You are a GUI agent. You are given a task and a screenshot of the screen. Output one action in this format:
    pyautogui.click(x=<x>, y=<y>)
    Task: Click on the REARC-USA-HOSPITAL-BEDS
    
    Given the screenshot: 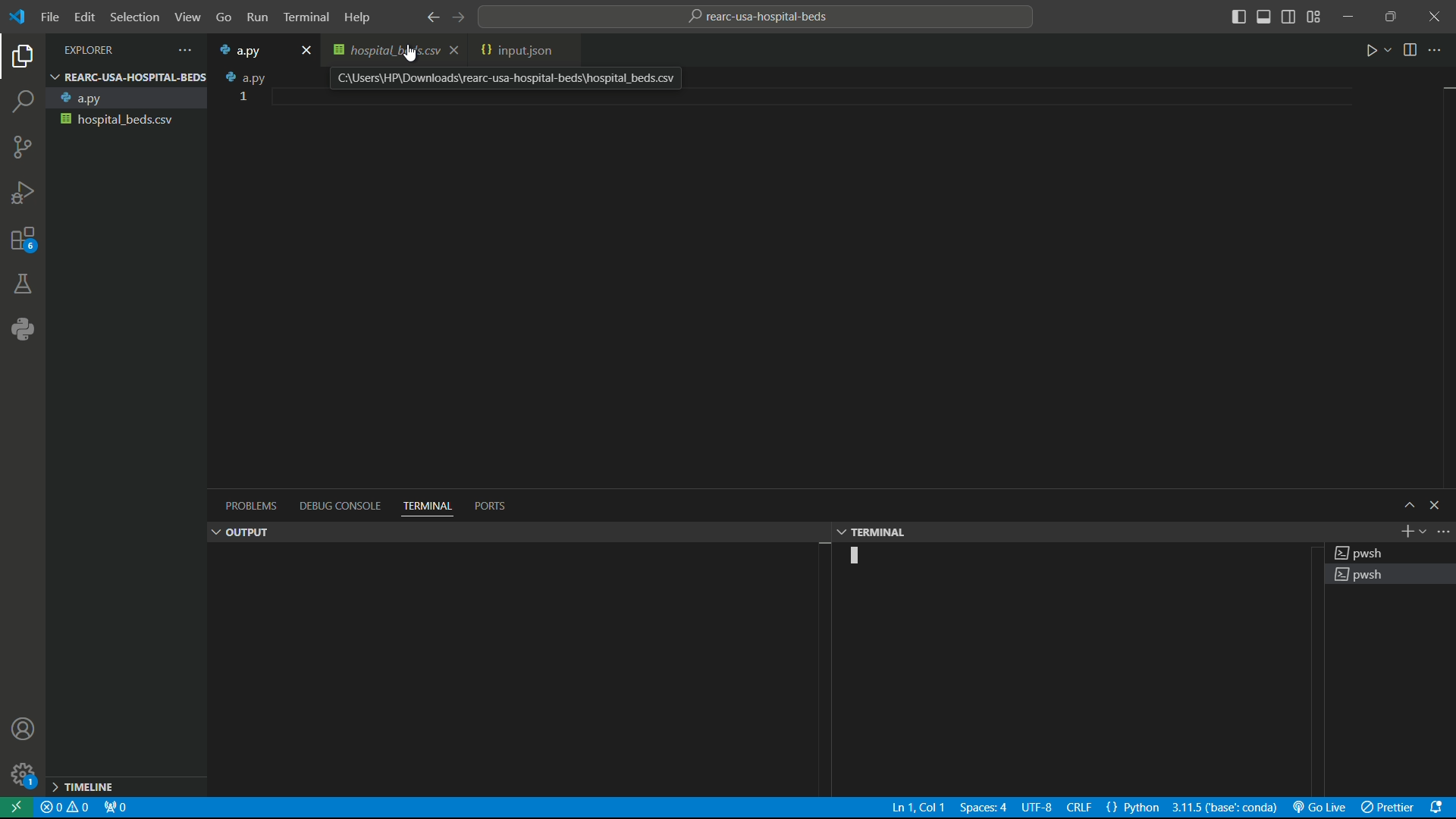 What is the action you would take?
    pyautogui.click(x=129, y=77)
    